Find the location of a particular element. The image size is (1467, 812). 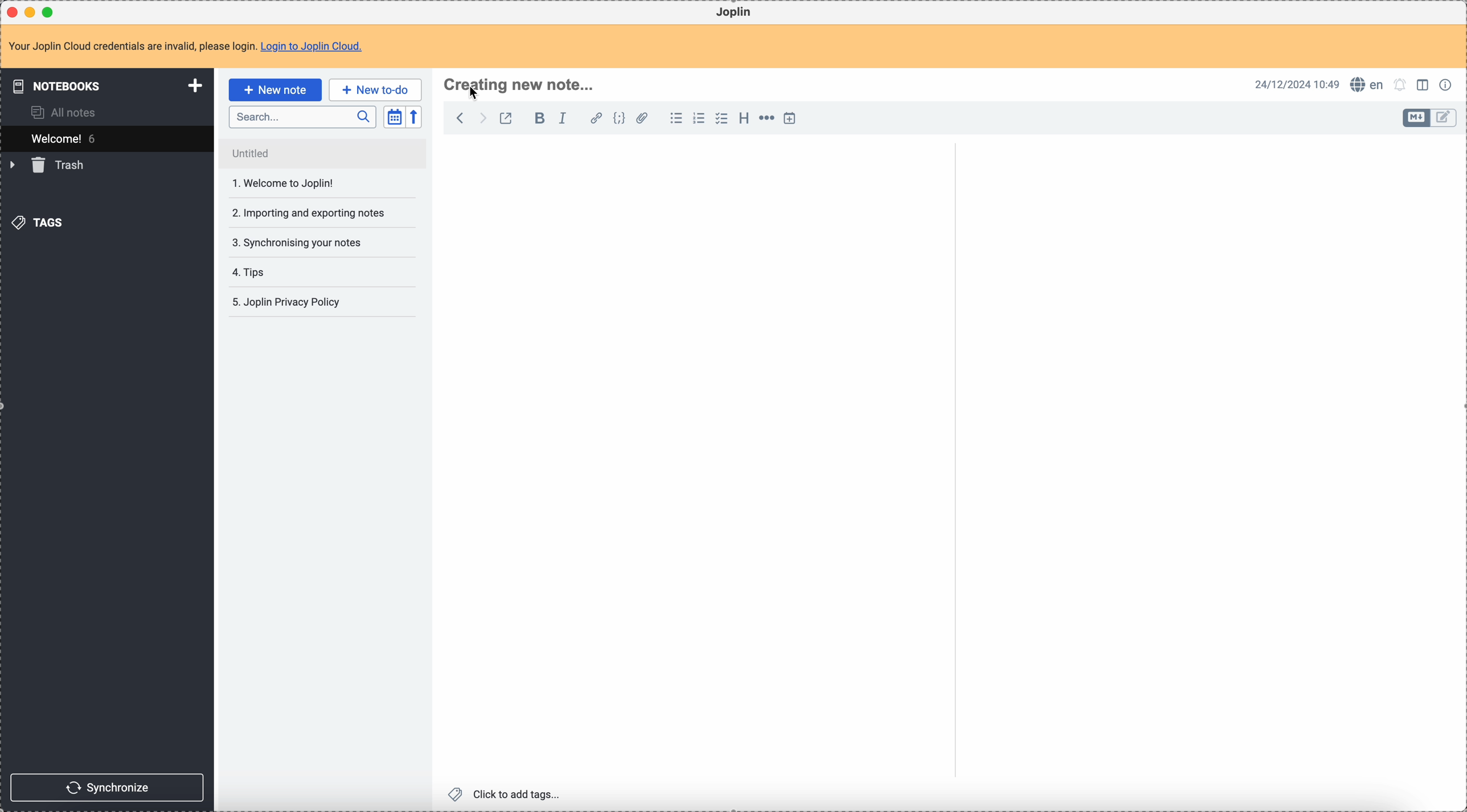

note is located at coordinates (185, 46).